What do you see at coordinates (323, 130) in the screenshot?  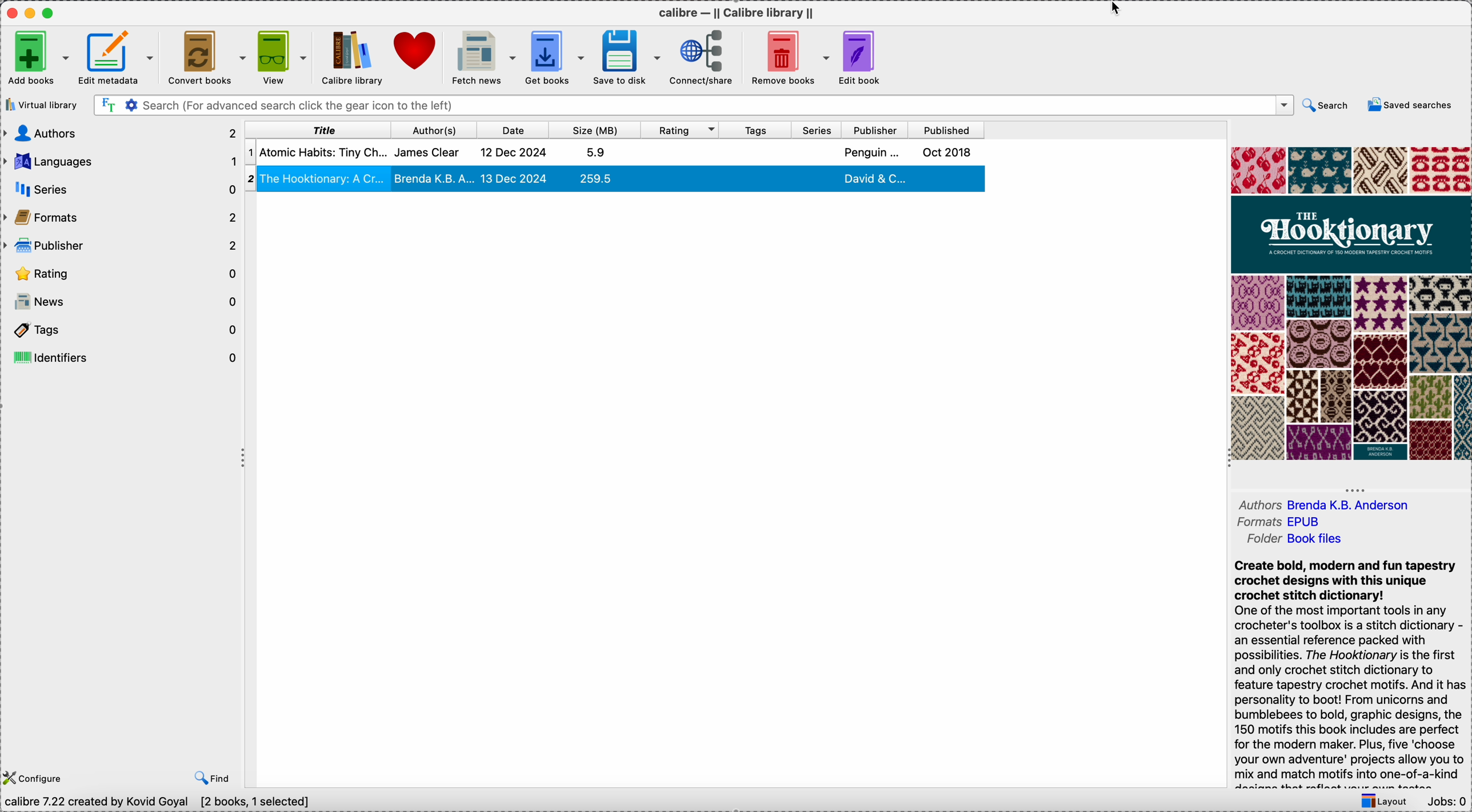 I see `title` at bounding box center [323, 130].